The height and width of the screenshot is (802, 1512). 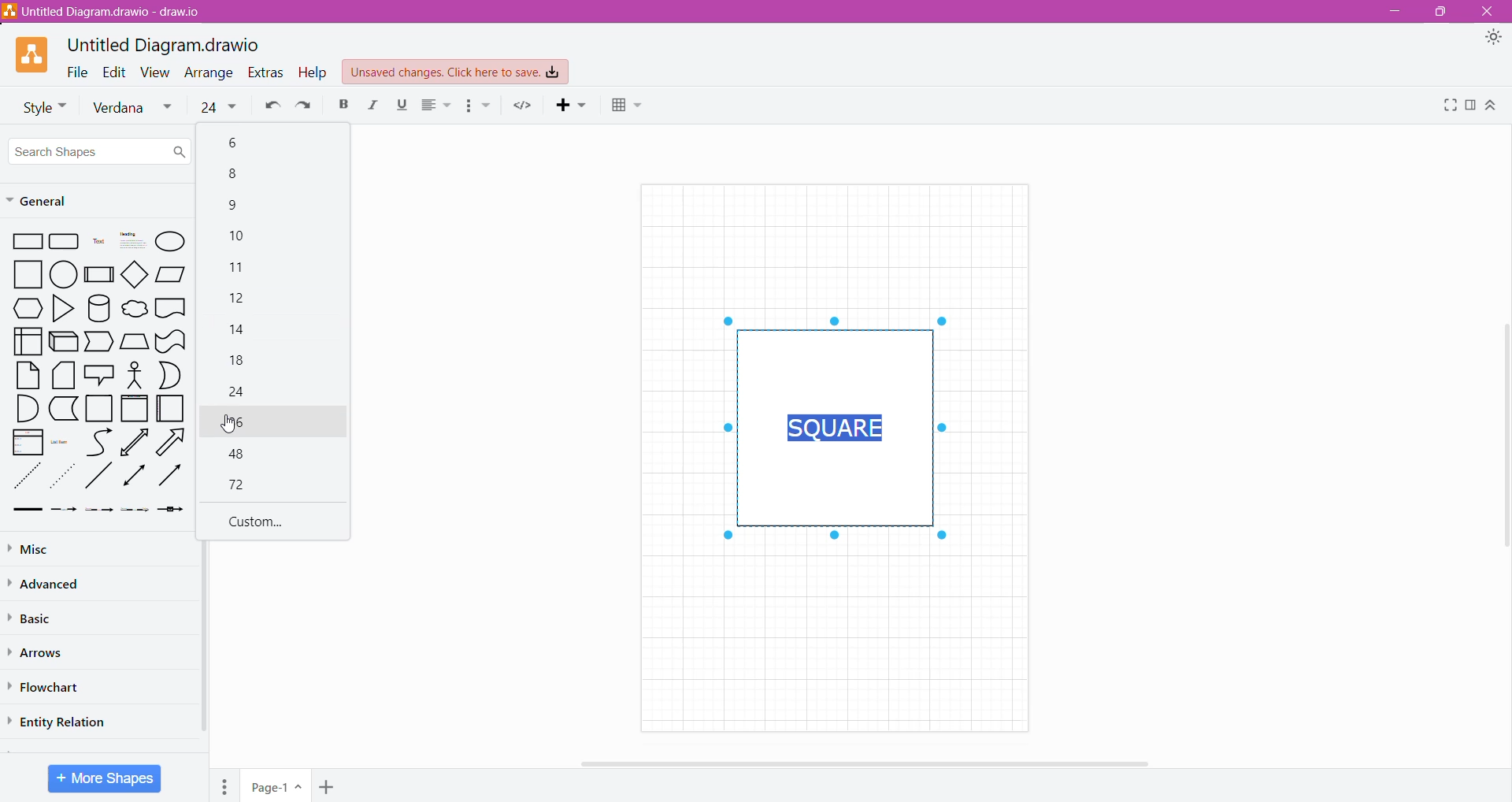 What do you see at coordinates (241, 302) in the screenshot?
I see `12` at bounding box center [241, 302].